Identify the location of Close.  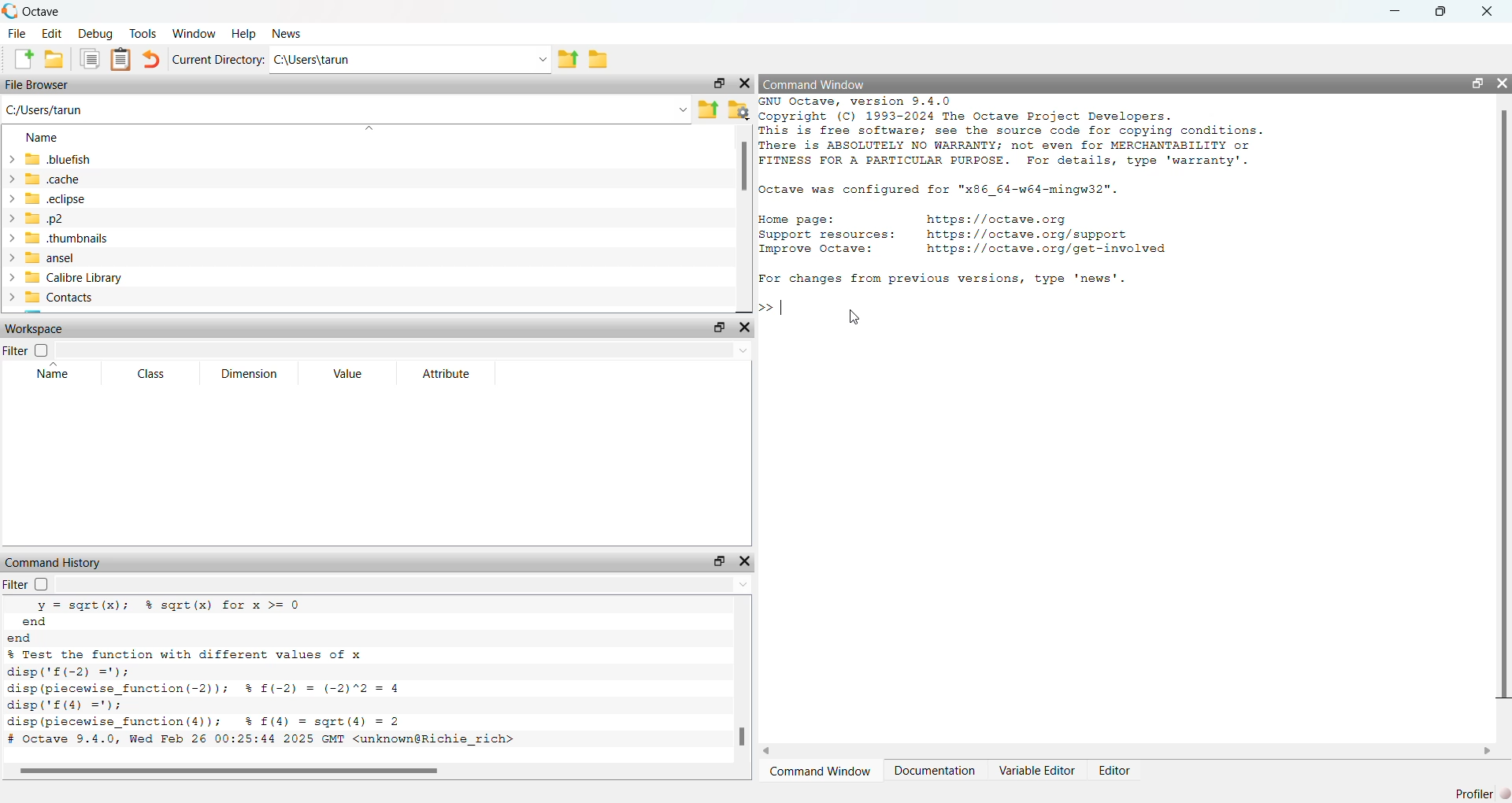
(746, 81).